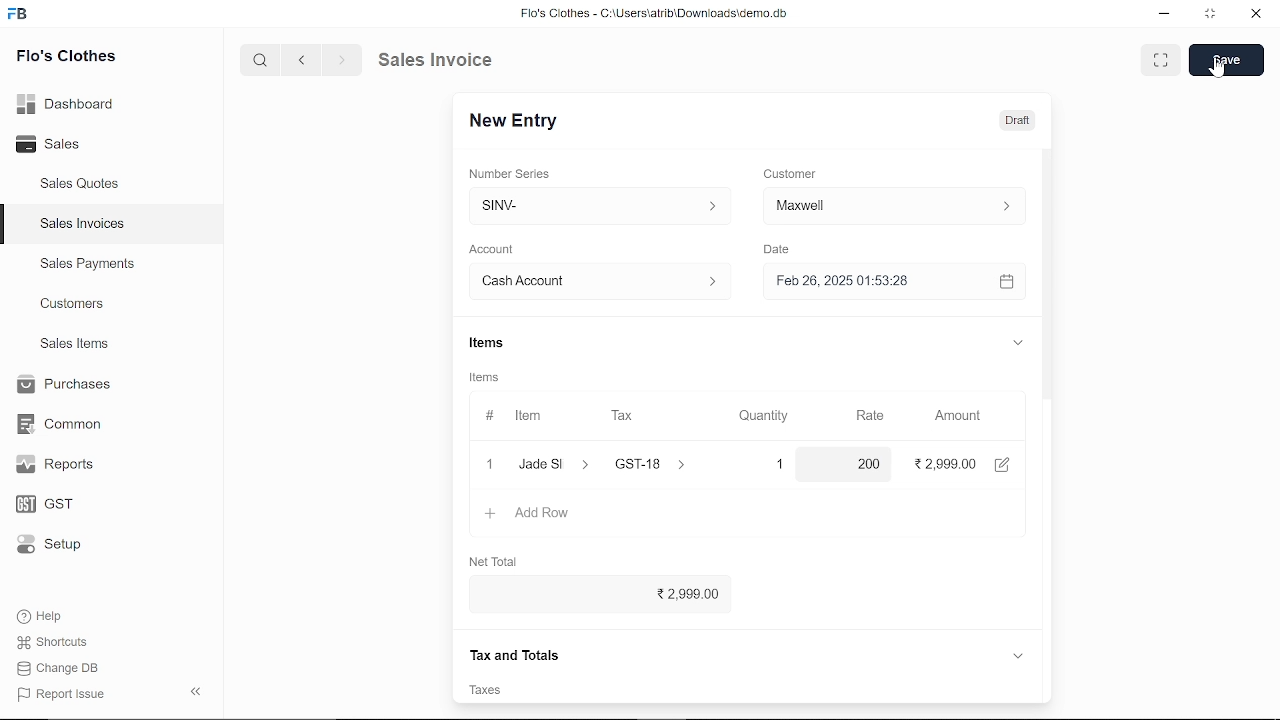  I want to click on Sales Quotes, so click(82, 185).